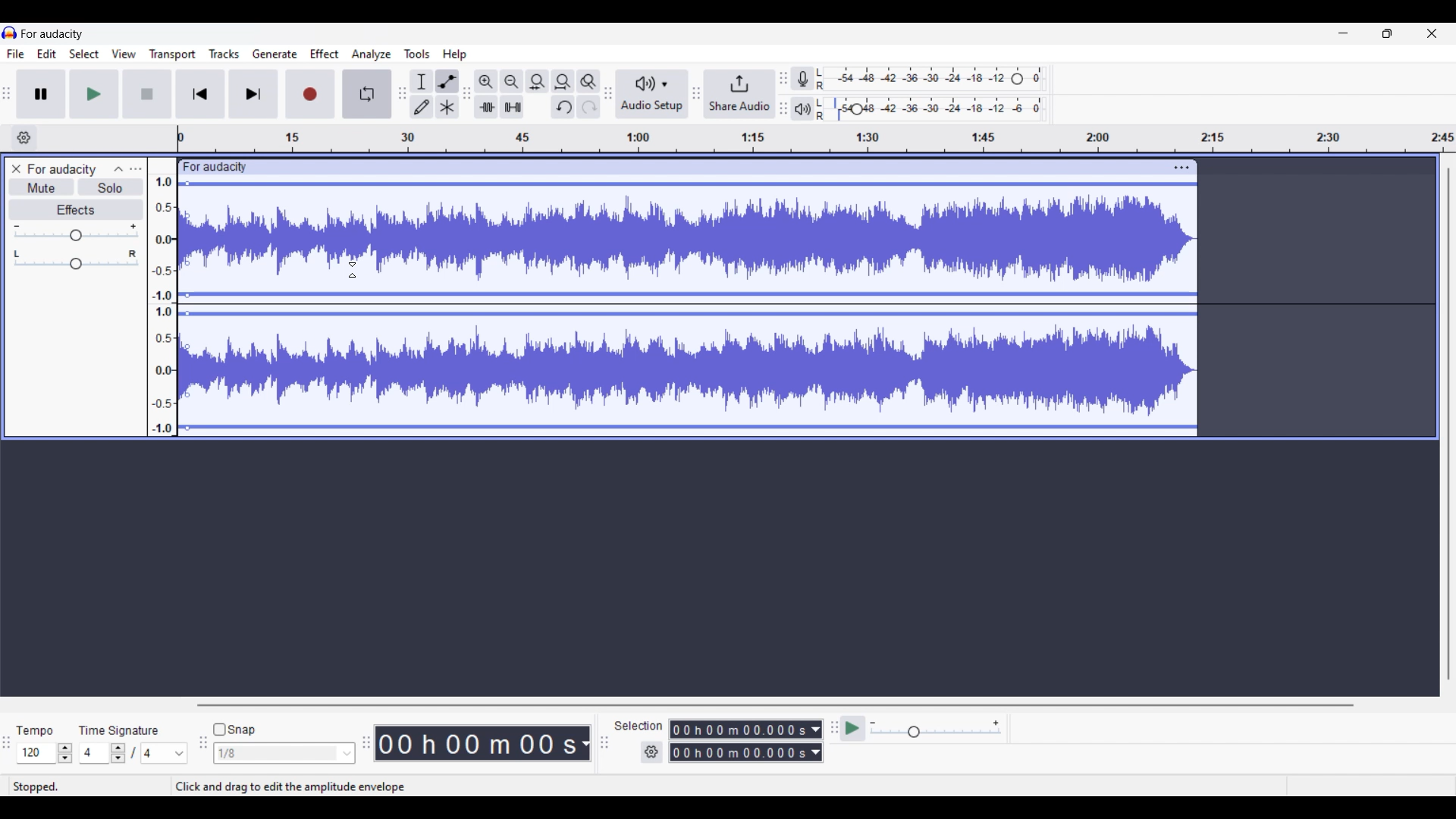  I want to click on Recording level, so click(930, 79).